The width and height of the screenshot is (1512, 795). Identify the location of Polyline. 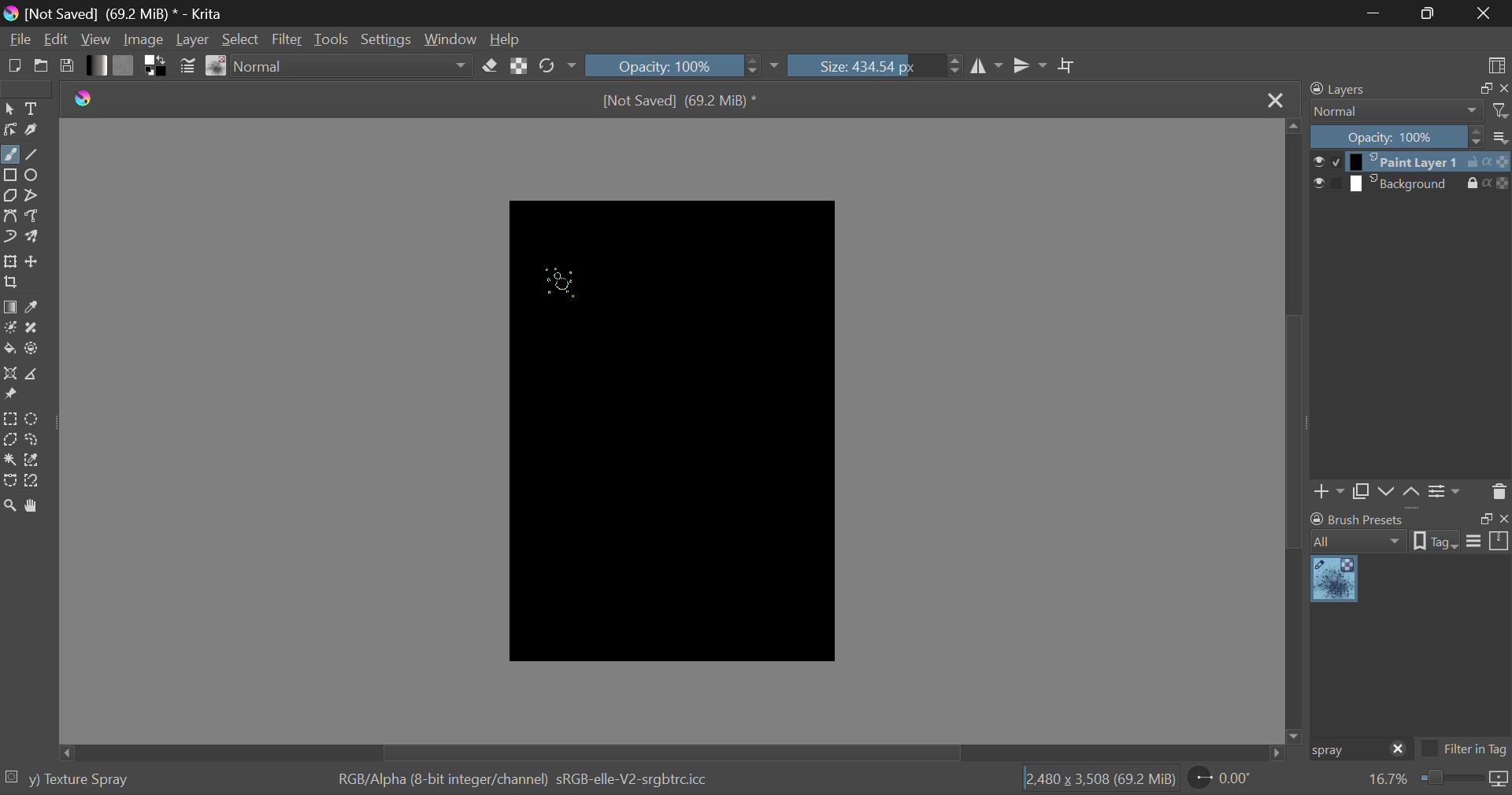
(33, 196).